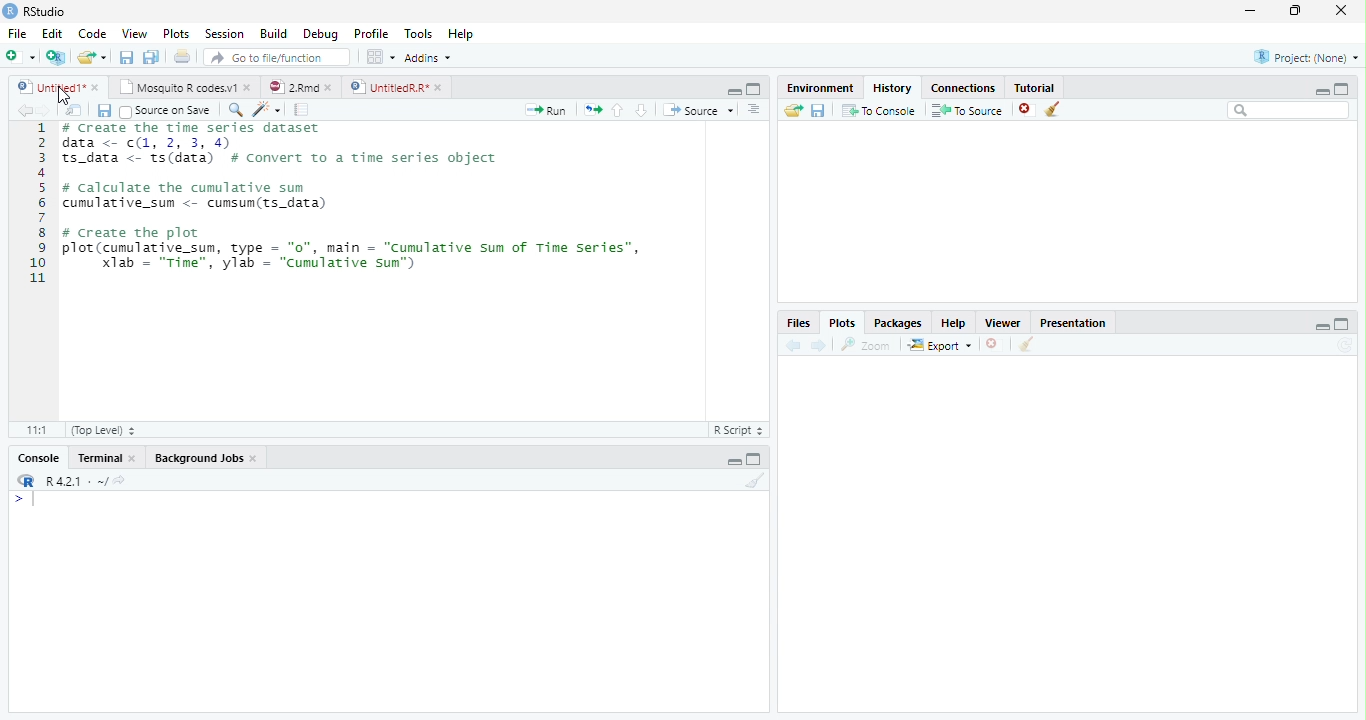 This screenshot has width=1366, height=720. I want to click on R script, so click(741, 430).